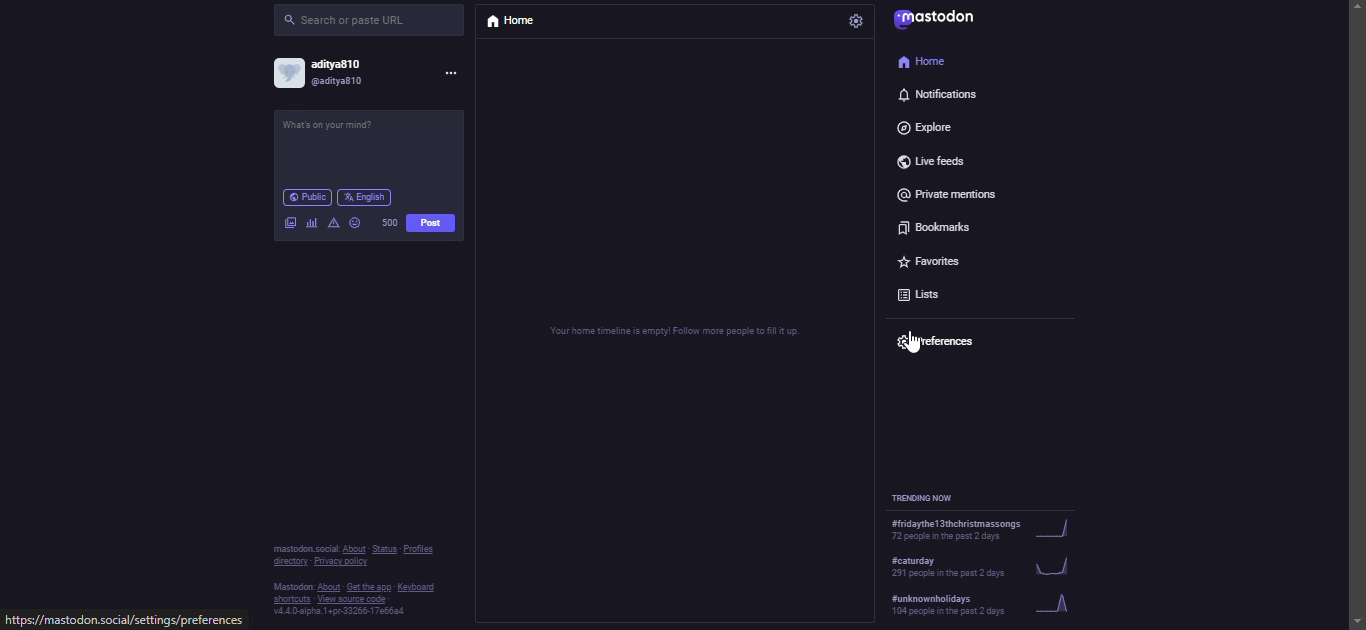 This screenshot has height=630, width=1366. I want to click on scroll bar, so click(1356, 297).